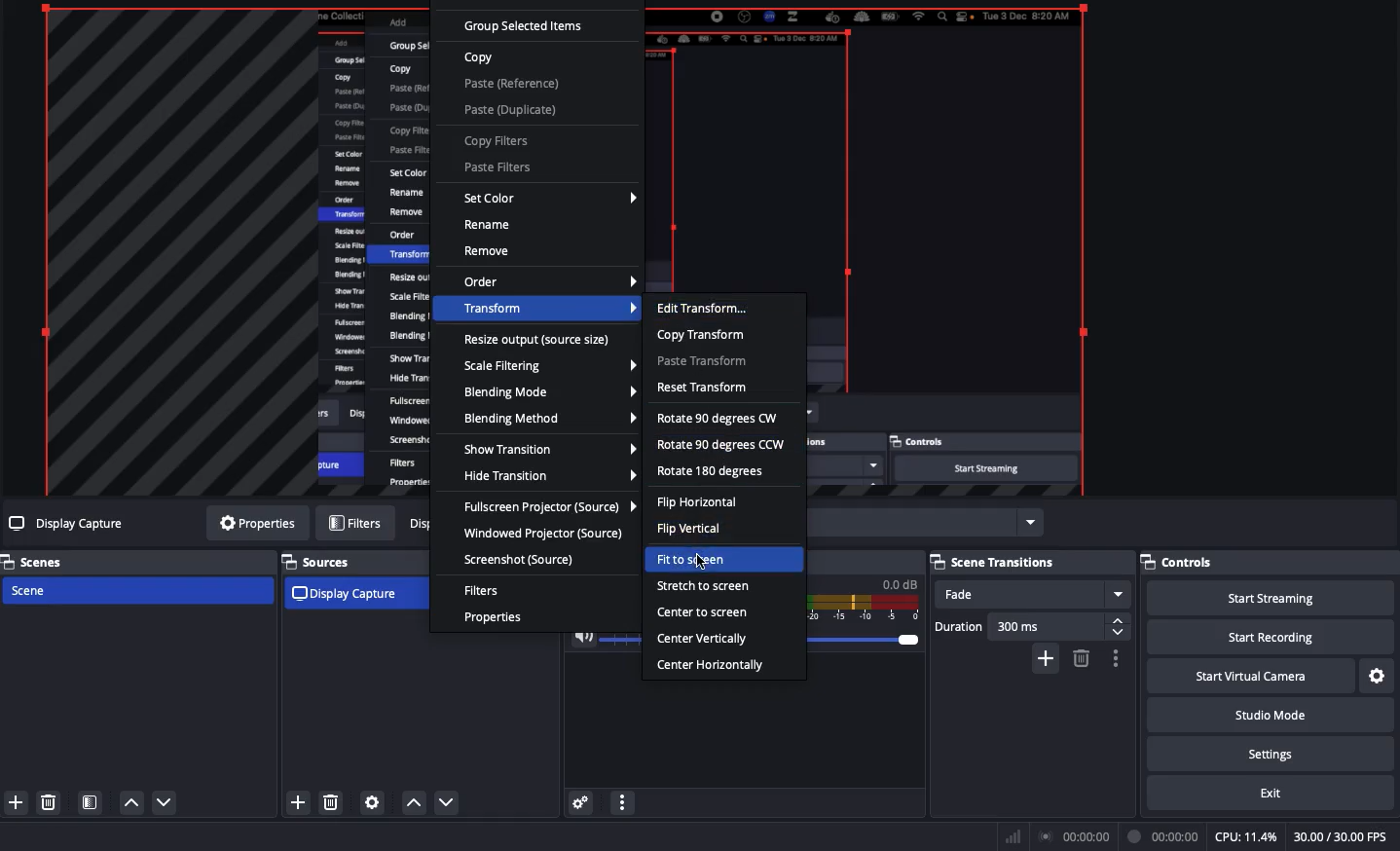 The image size is (1400, 851). I want to click on move up, so click(414, 803).